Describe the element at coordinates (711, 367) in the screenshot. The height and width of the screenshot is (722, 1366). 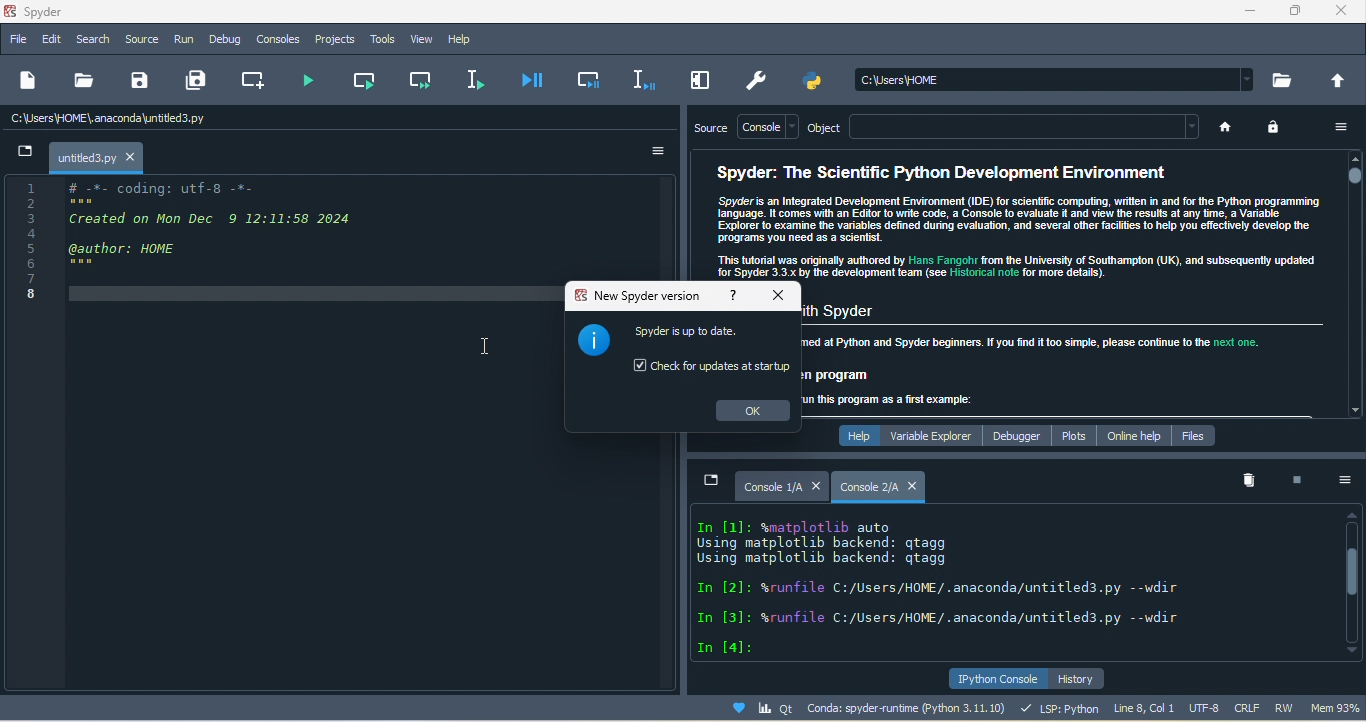
I see `check for update at startup appear` at that location.